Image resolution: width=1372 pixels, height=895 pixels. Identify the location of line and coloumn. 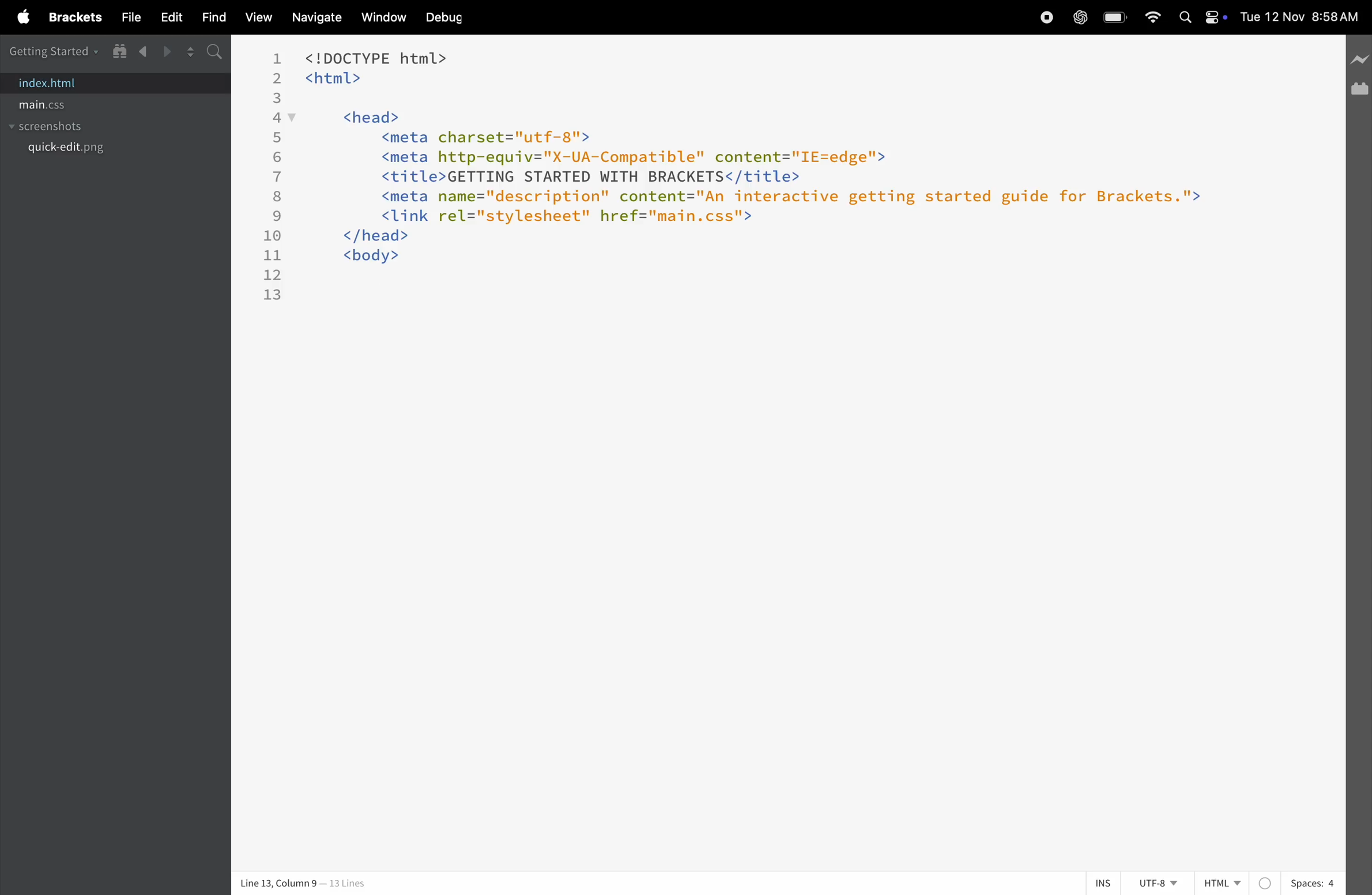
(308, 882).